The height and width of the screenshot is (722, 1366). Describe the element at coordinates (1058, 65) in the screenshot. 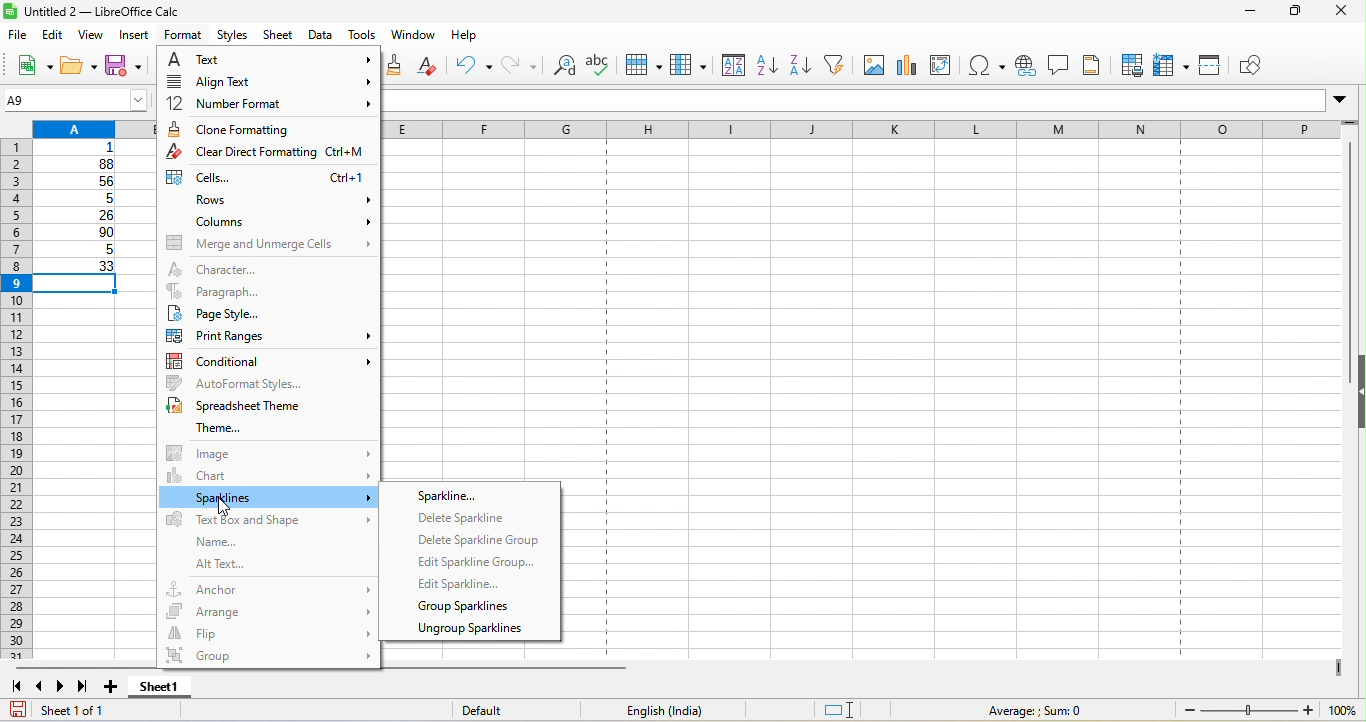

I see `comment` at that location.